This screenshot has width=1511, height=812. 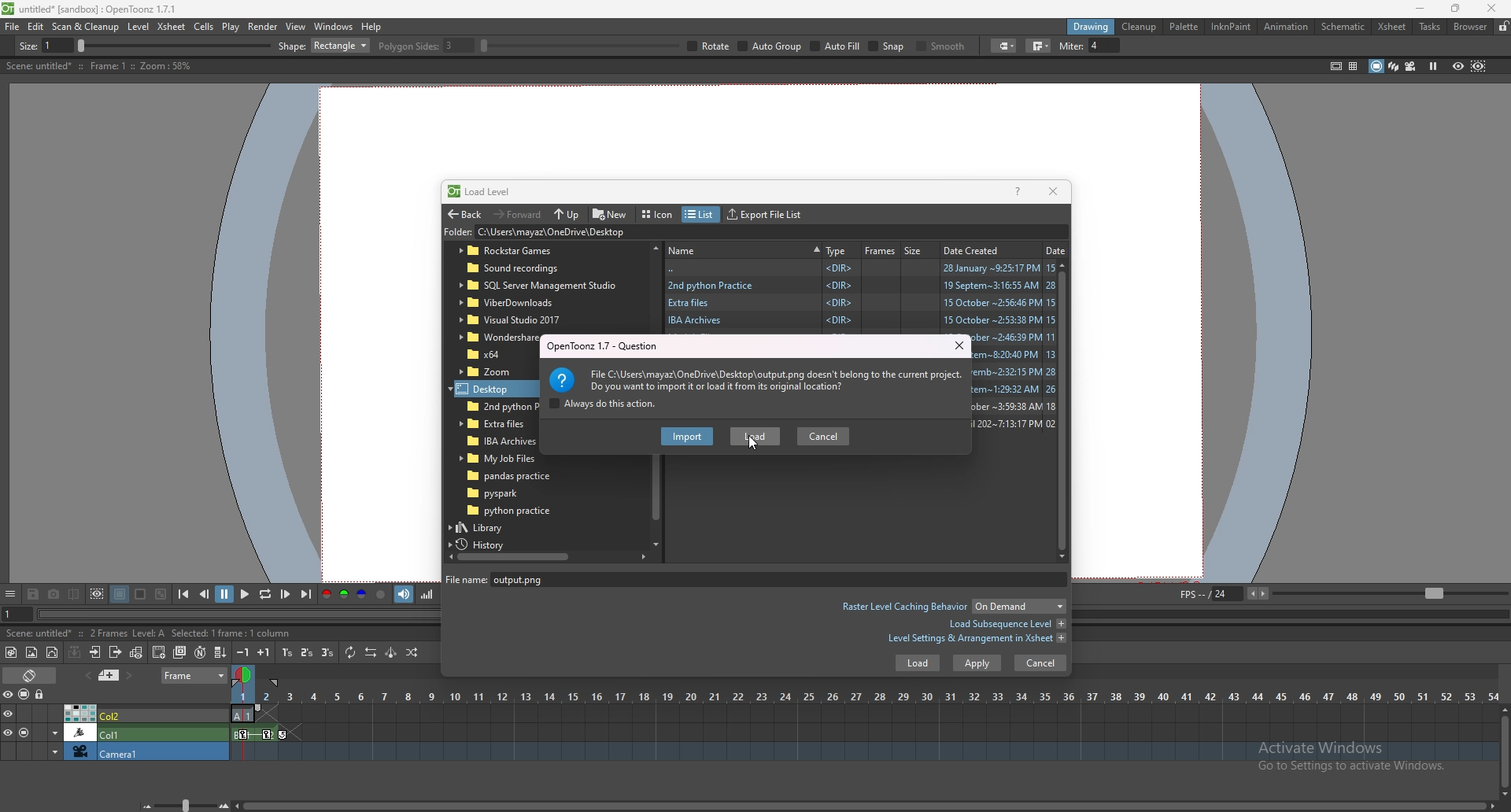 What do you see at coordinates (615, 233) in the screenshot?
I see `folder` at bounding box center [615, 233].